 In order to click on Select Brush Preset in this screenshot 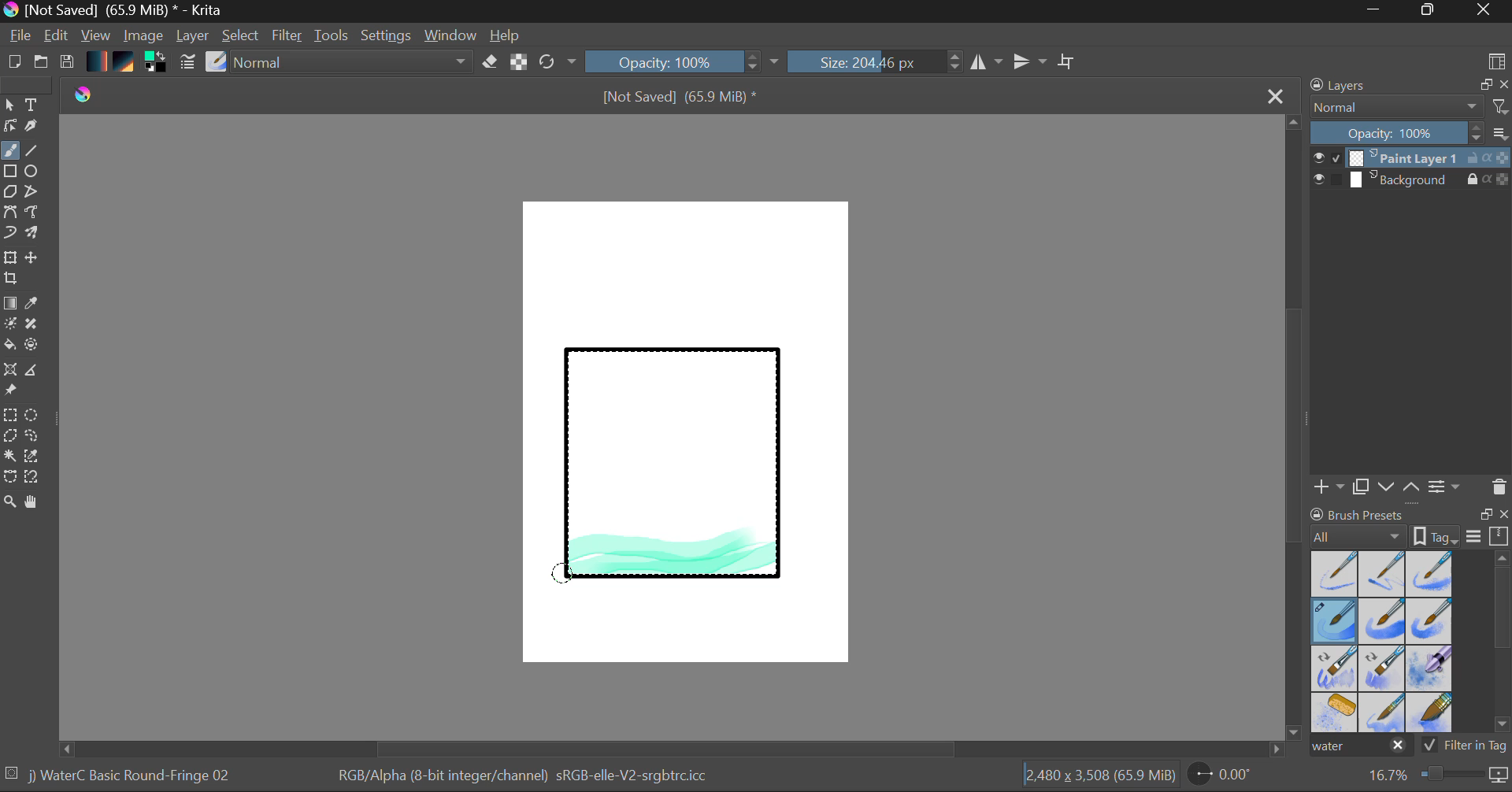, I will do `click(217, 62)`.